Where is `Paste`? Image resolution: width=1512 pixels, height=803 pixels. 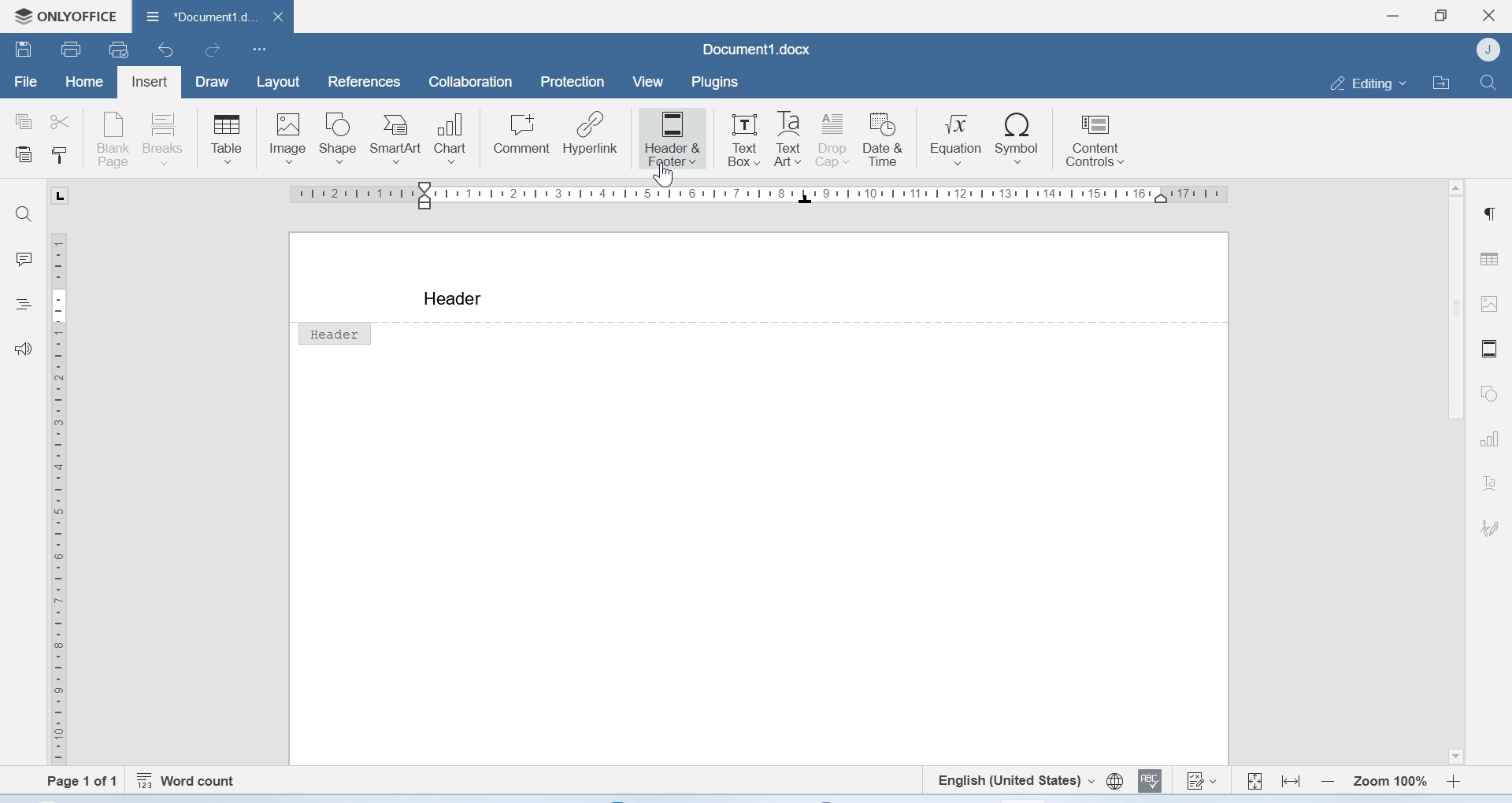 Paste is located at coordinates (24, 156).